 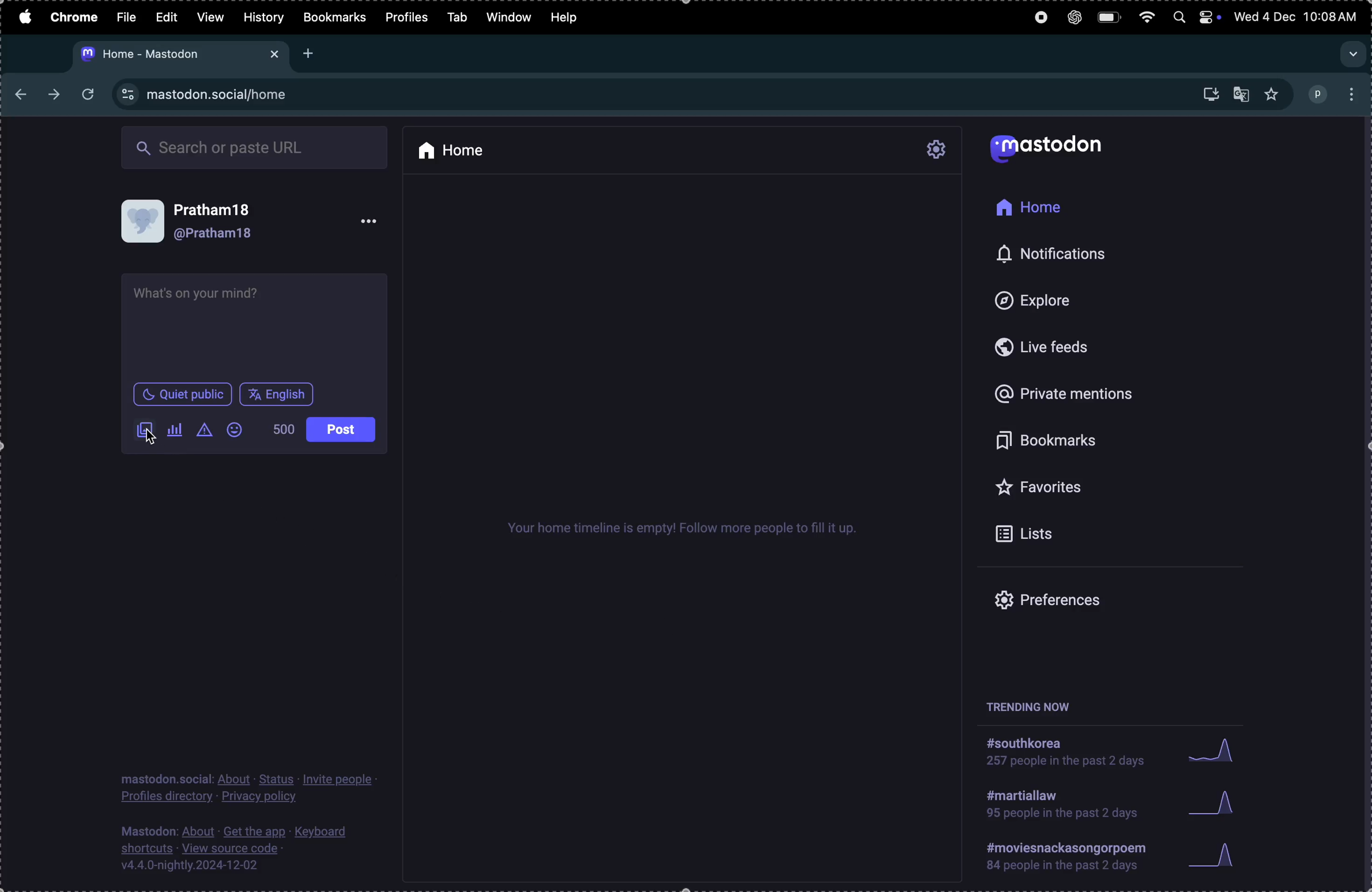 What do you see at coordinates (178, 54) in the screenshot?
I see `mastodon tab` at bounding box center [178, 54].